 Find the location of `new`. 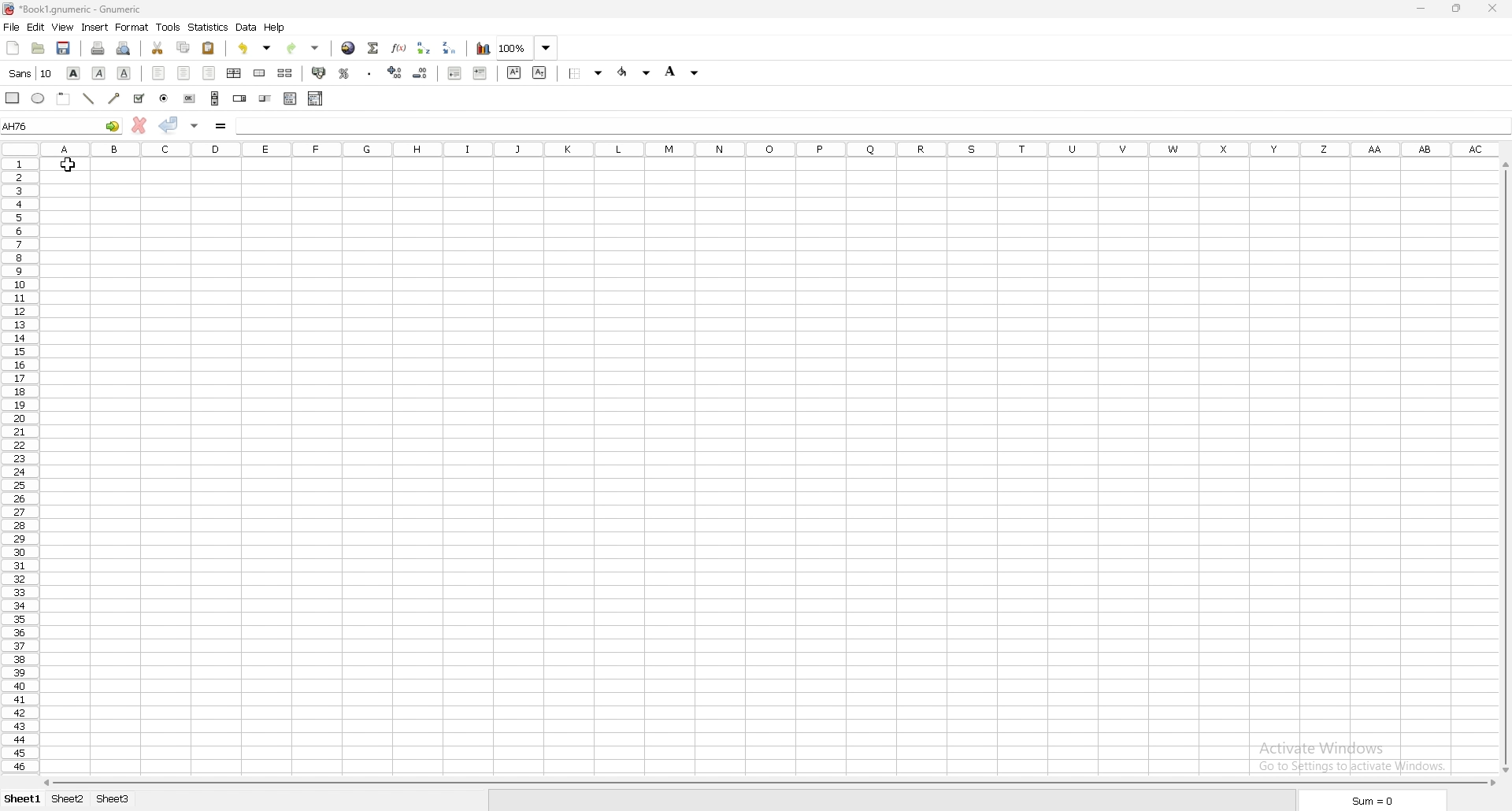

new is located at coordinates (13, 48).